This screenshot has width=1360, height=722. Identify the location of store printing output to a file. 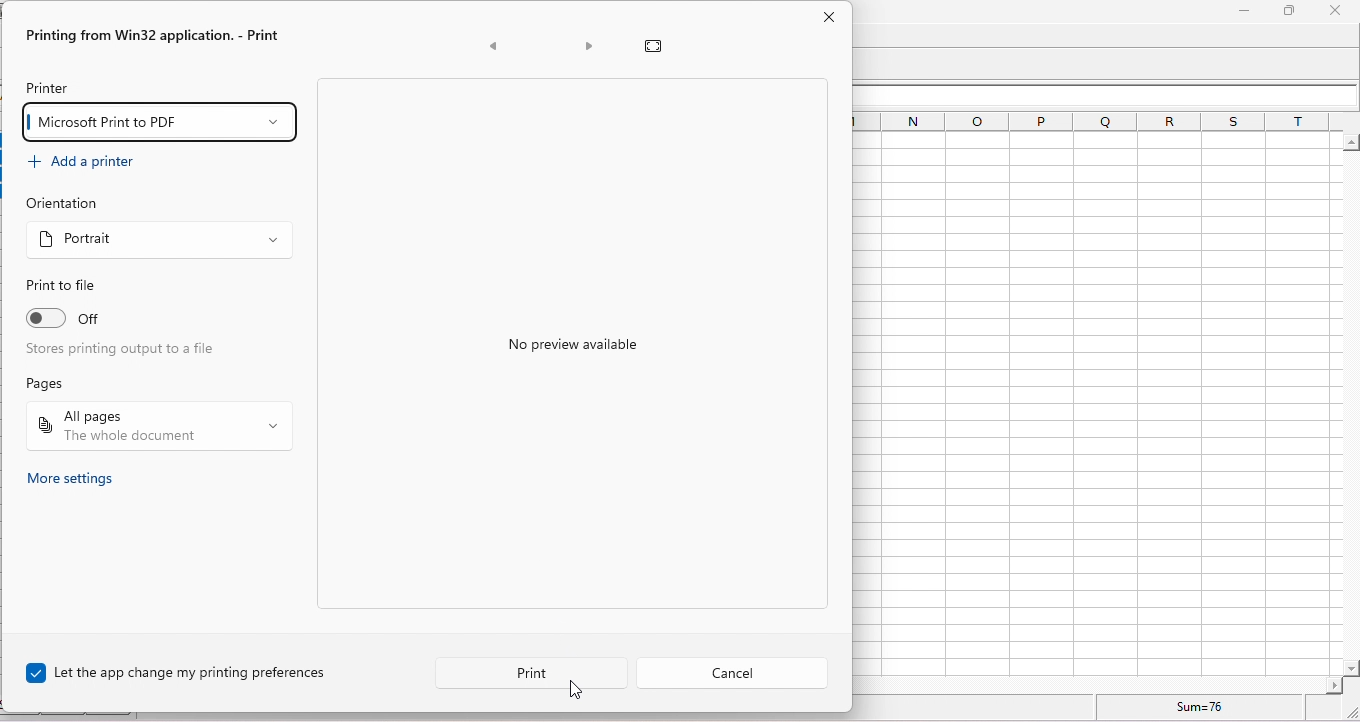
(130, 353).